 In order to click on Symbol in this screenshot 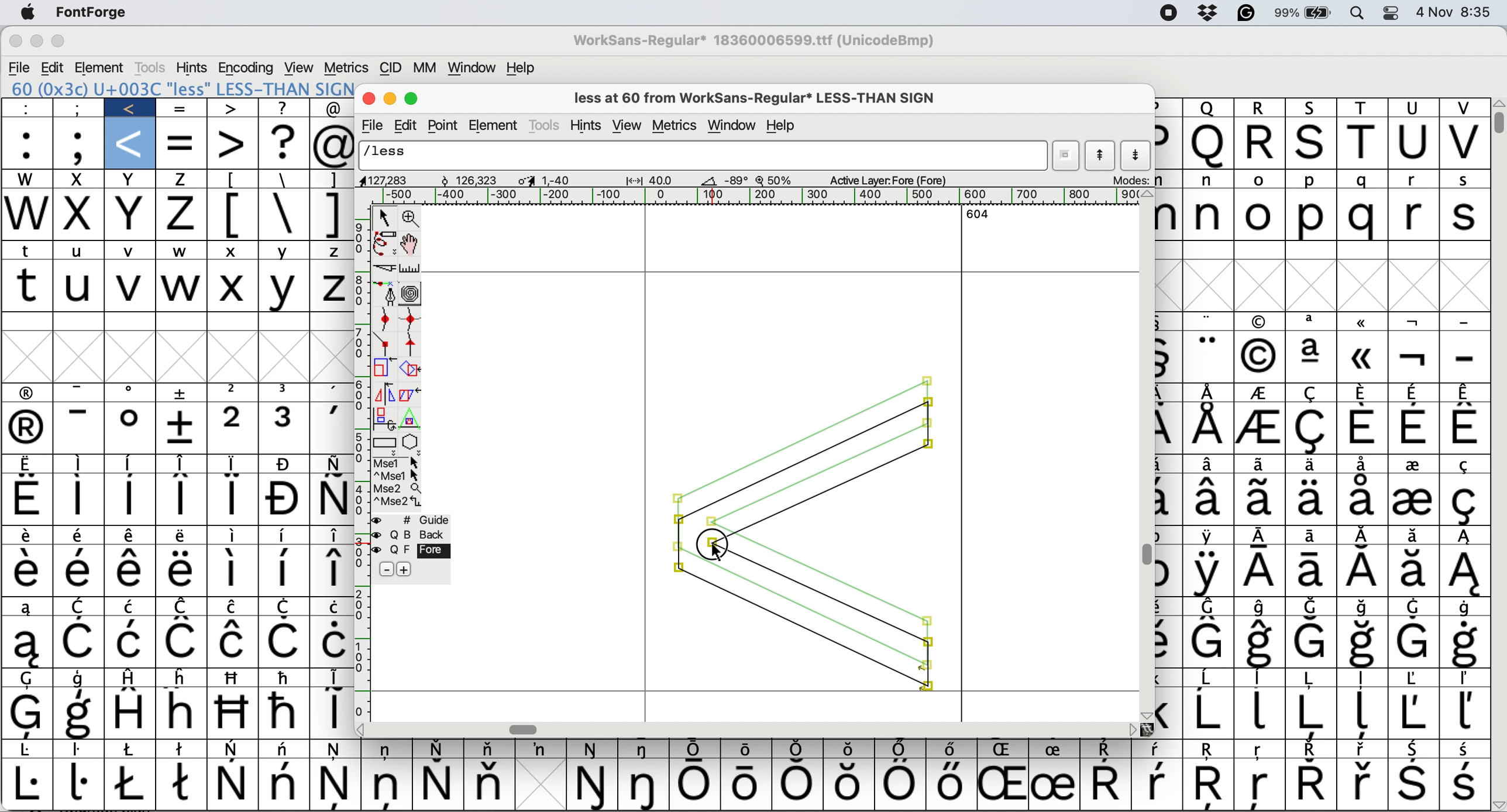, I will do `click(29, 465)`.